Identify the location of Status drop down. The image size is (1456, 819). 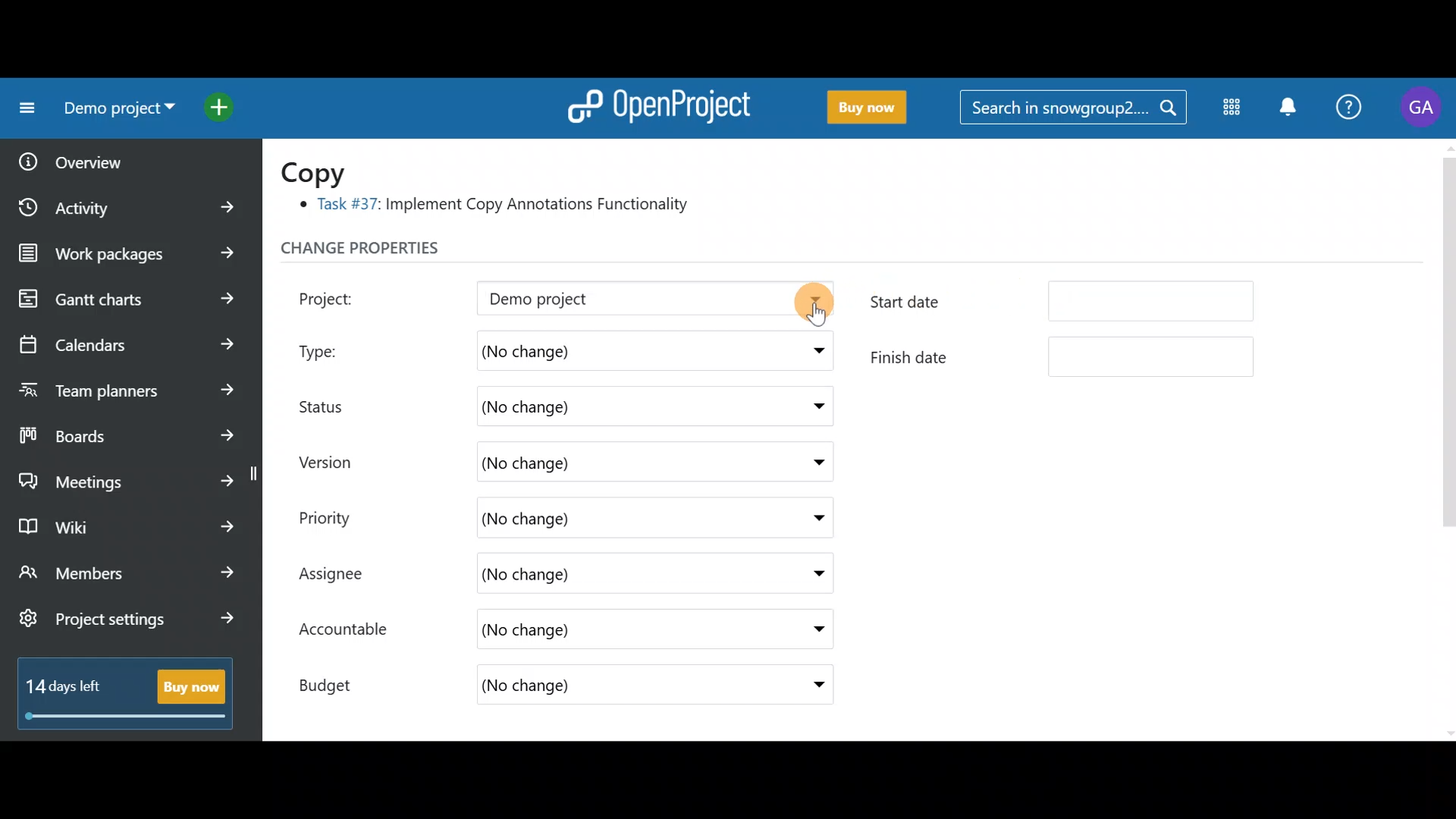
(814, 406).